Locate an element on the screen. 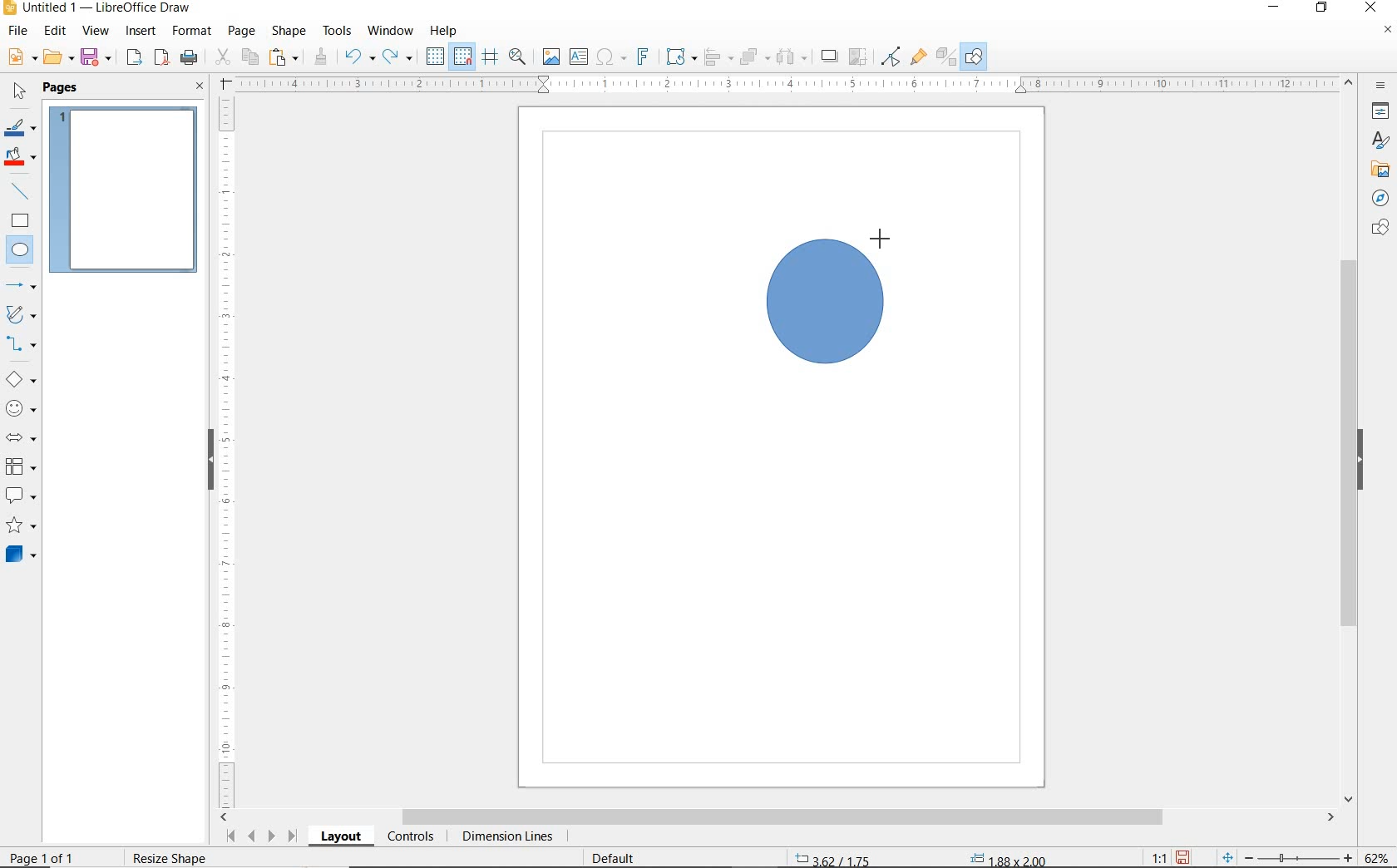 This screenshot has height=868, width=1397. INSERT FONTWORK TEXT is located at coordinates (641, 57).